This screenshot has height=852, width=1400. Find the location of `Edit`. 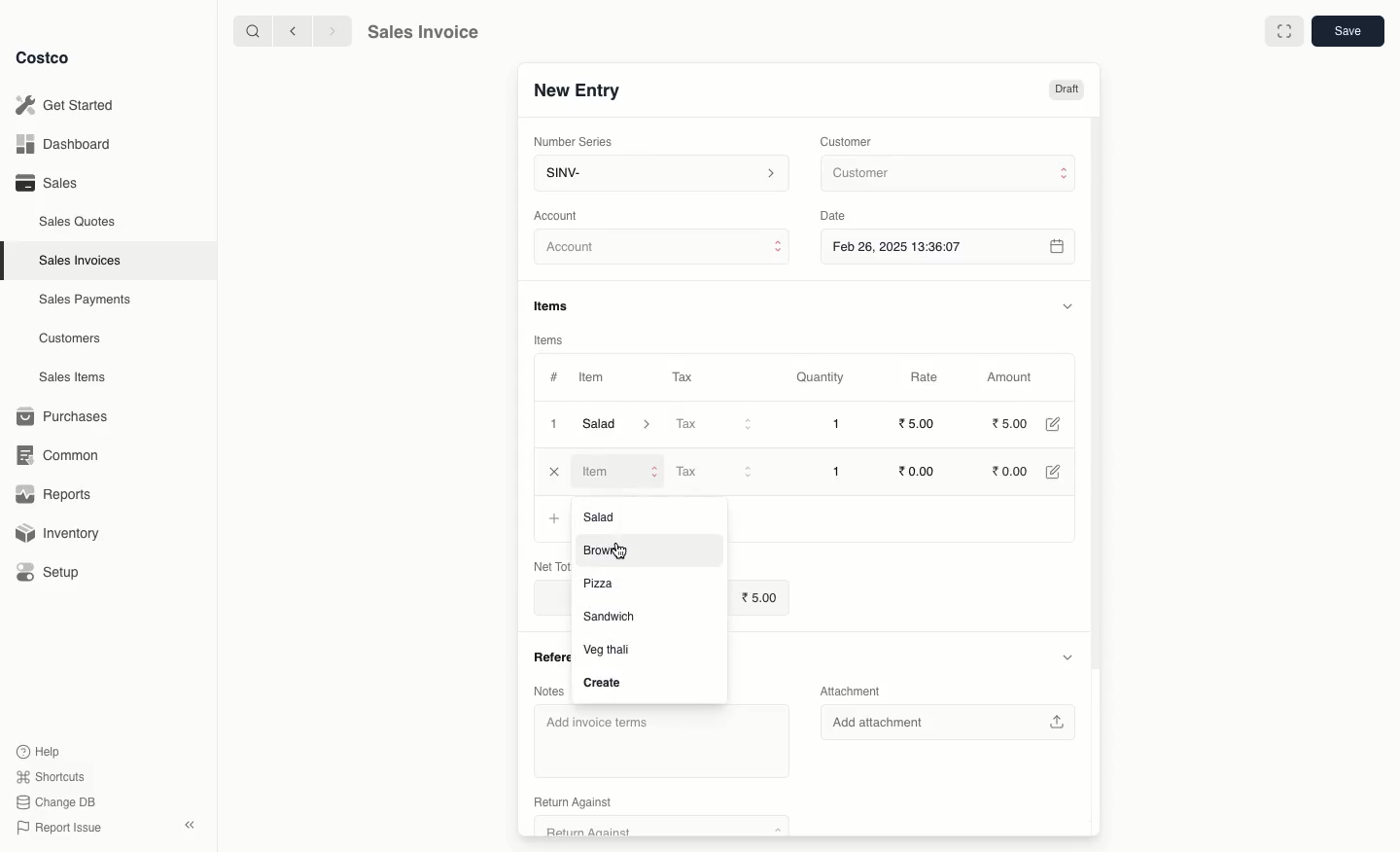

Edit is located at coordinates (1056, 472).